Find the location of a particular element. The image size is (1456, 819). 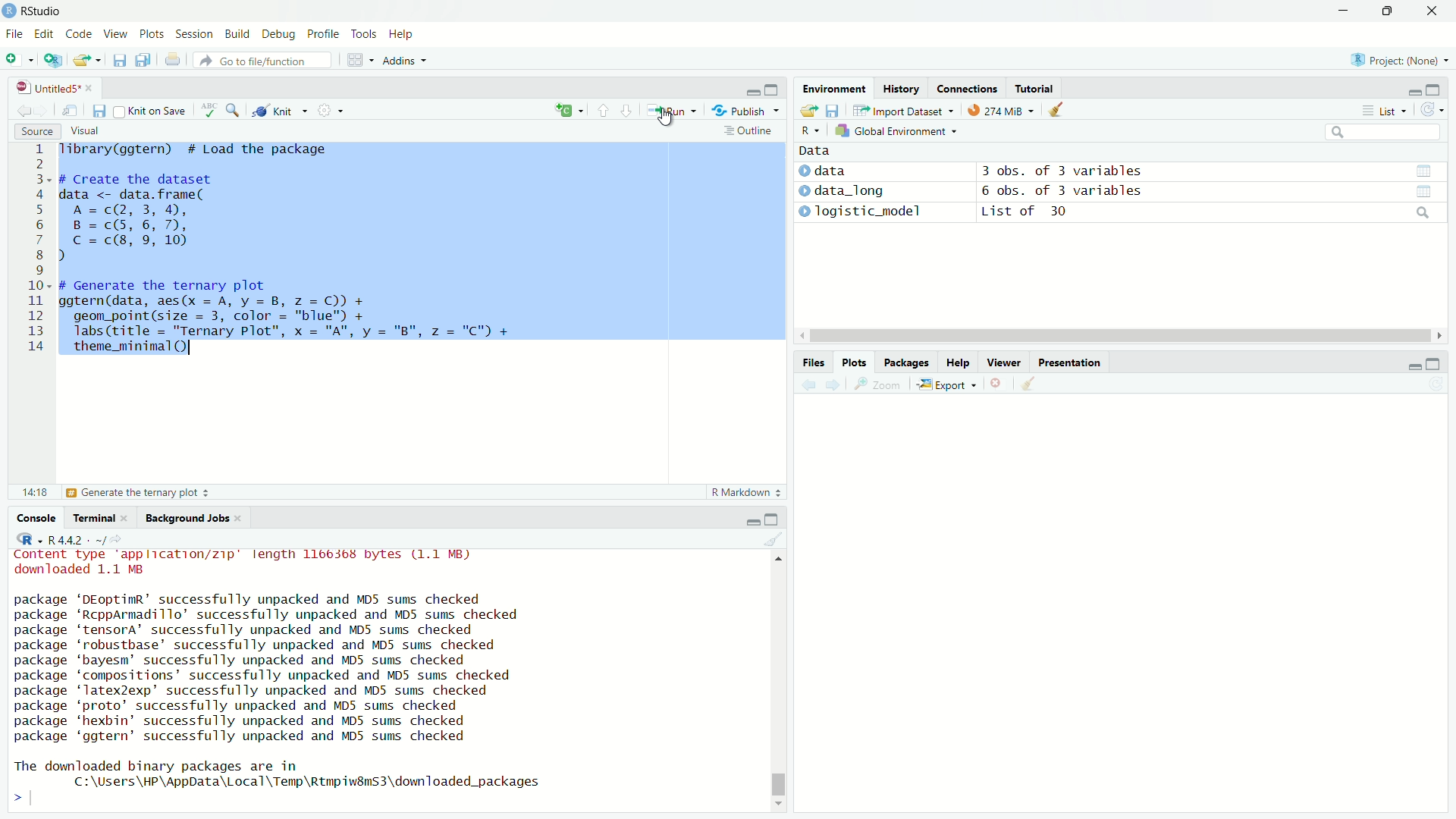

1
2
3.
4
5
6
7
8
9
10
11
12
13
14 is located at coordinates (39, 251).